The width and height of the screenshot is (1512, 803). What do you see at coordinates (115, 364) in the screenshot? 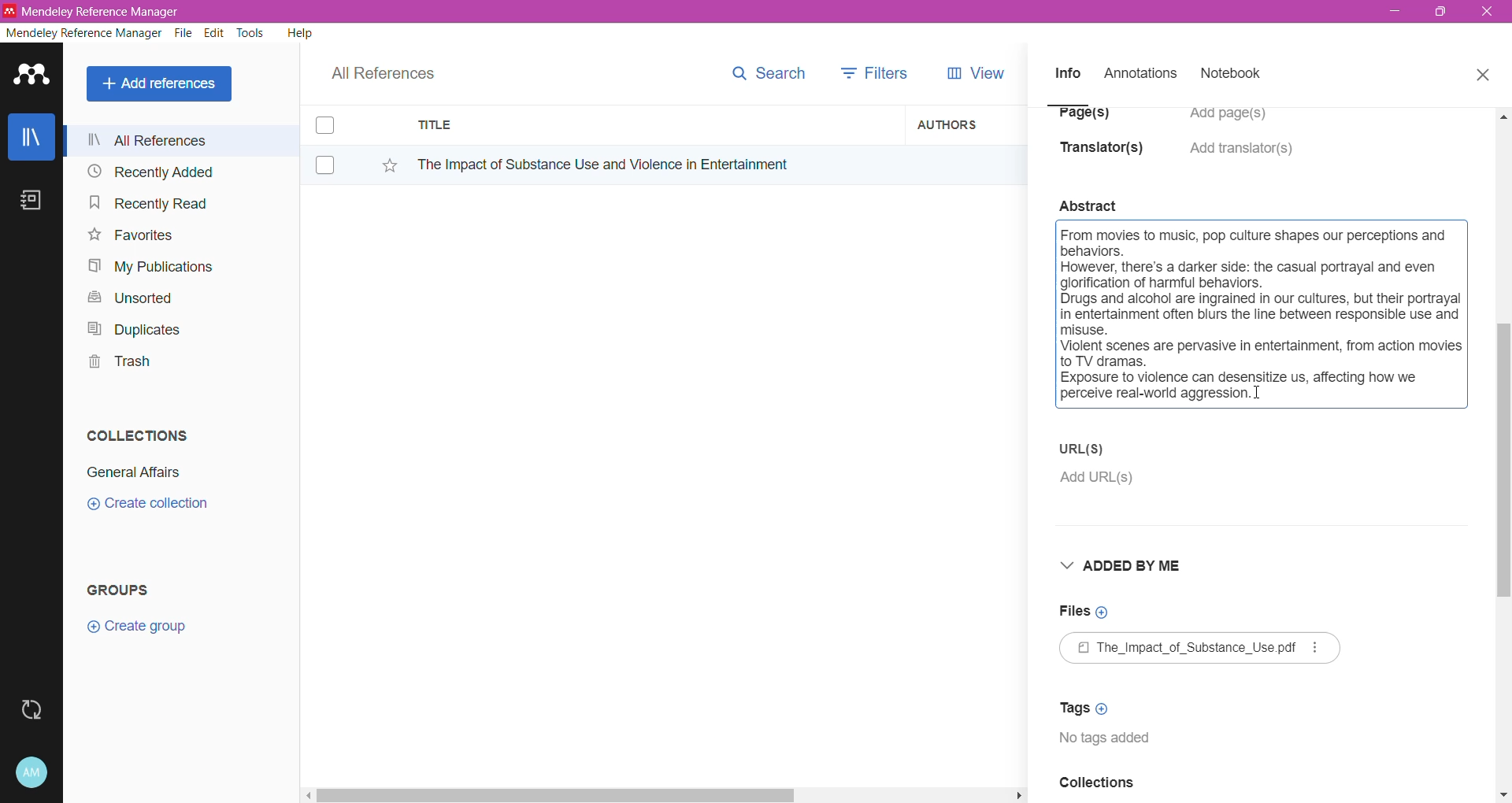
I see `Trash` at bounding box center [115, 364].